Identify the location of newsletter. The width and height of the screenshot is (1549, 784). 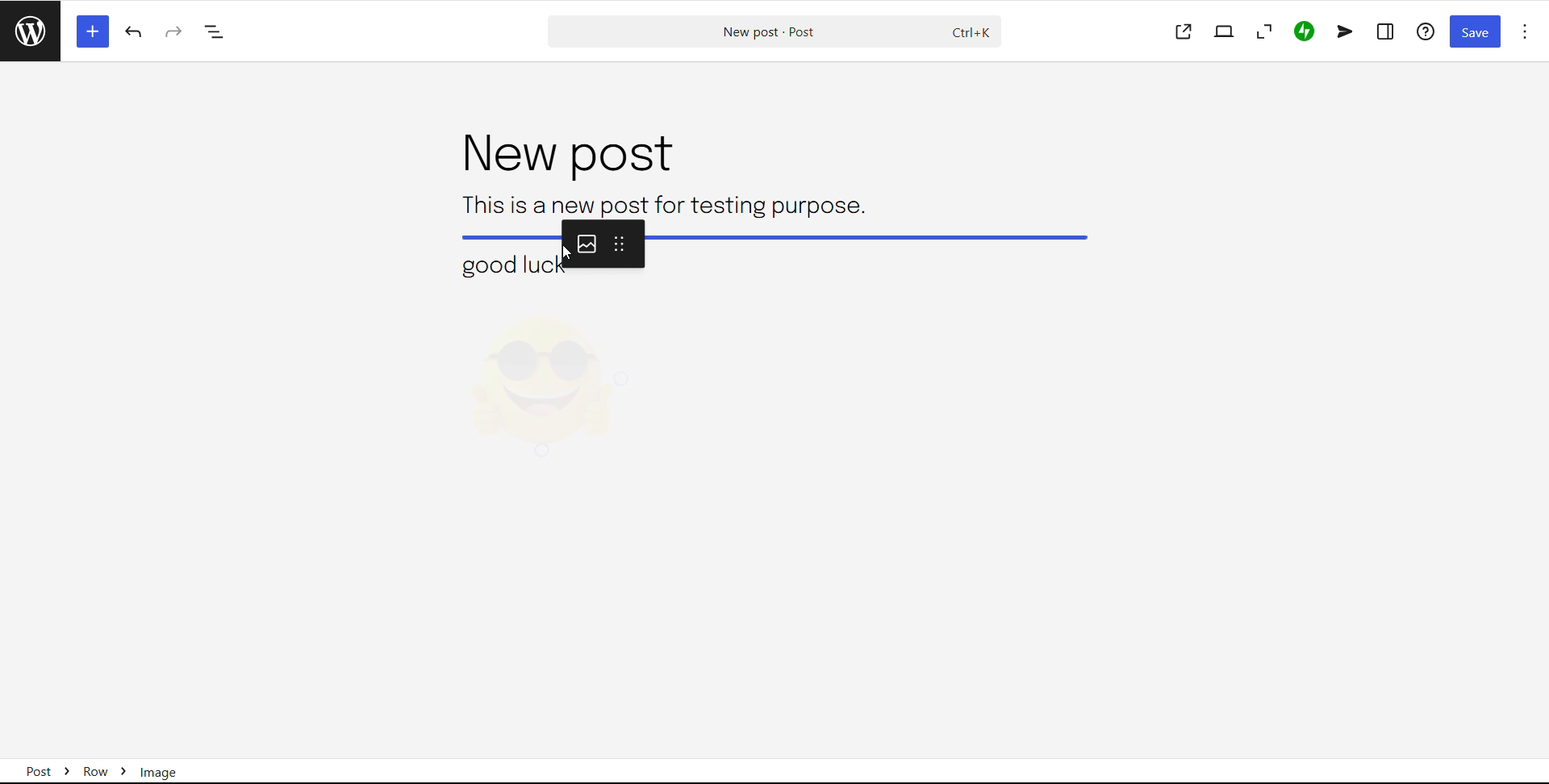
(1345, 31).